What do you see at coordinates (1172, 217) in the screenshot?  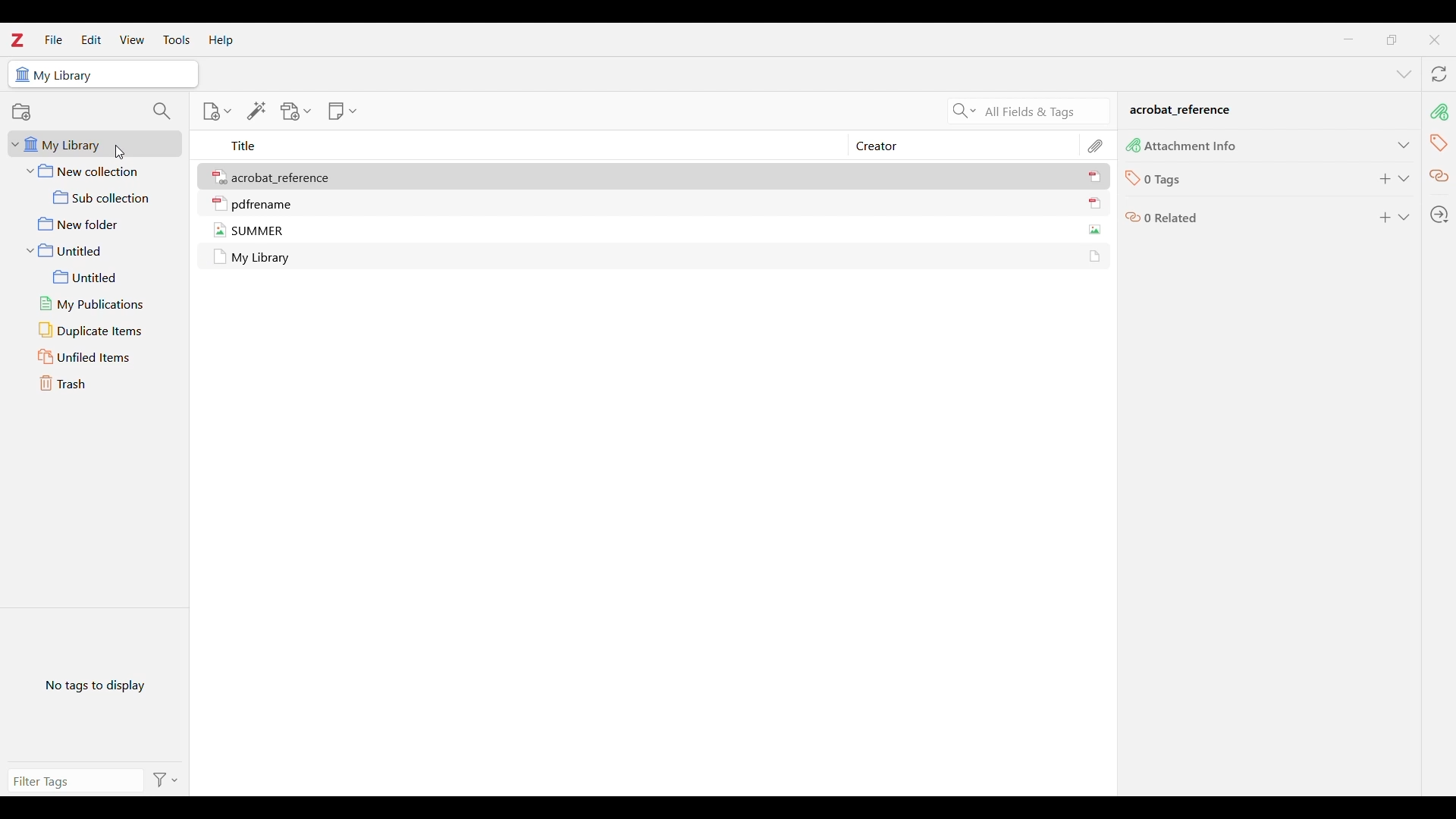 I see `0 Related` at bounding box center [1172, 217].